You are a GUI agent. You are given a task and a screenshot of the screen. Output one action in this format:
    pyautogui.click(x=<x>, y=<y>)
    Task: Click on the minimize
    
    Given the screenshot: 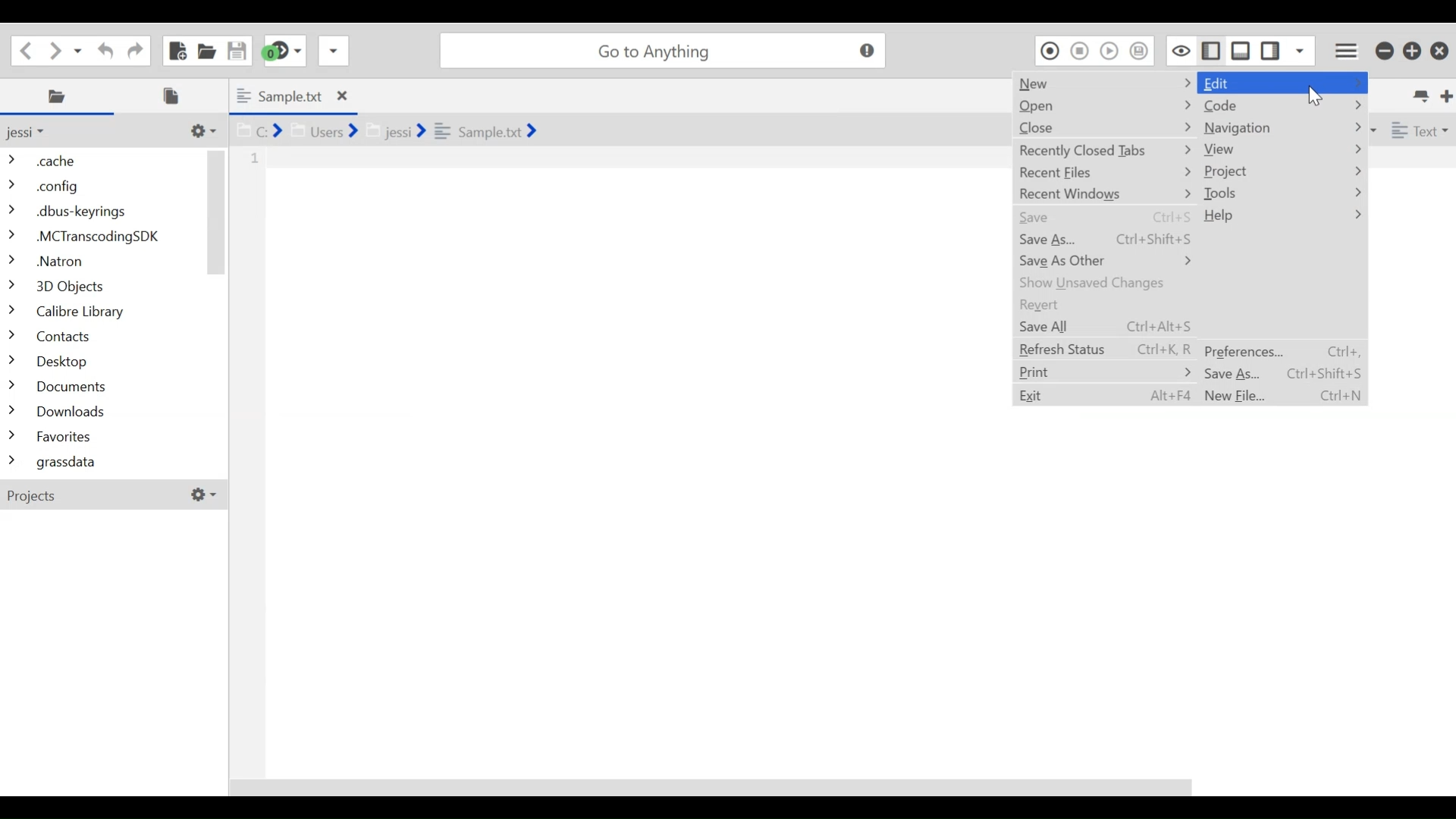 What is the action you would take?
    pyautogui.click(x=1384, y=51)
    